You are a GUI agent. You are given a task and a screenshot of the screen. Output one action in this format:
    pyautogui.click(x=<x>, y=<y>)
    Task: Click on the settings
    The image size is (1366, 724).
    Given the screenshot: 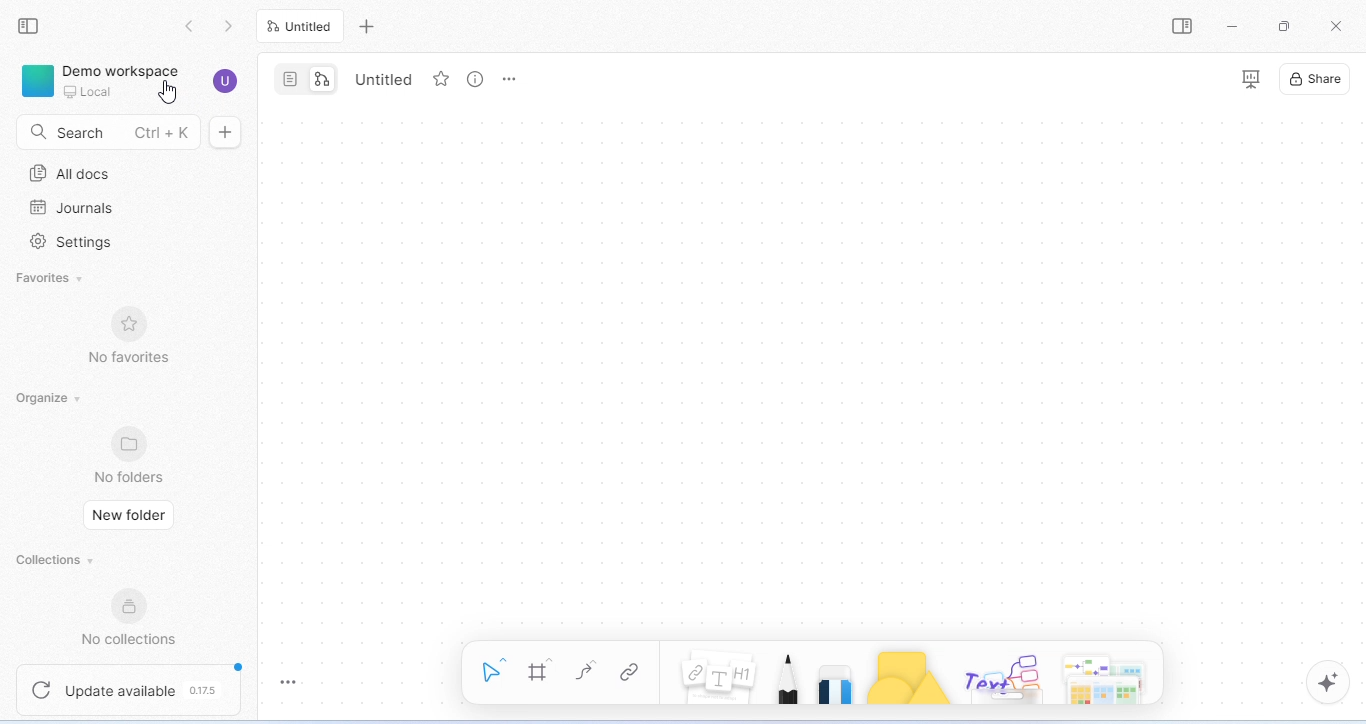 What is the action you would take?
    pyautogui.click(x=75, y=244)
    